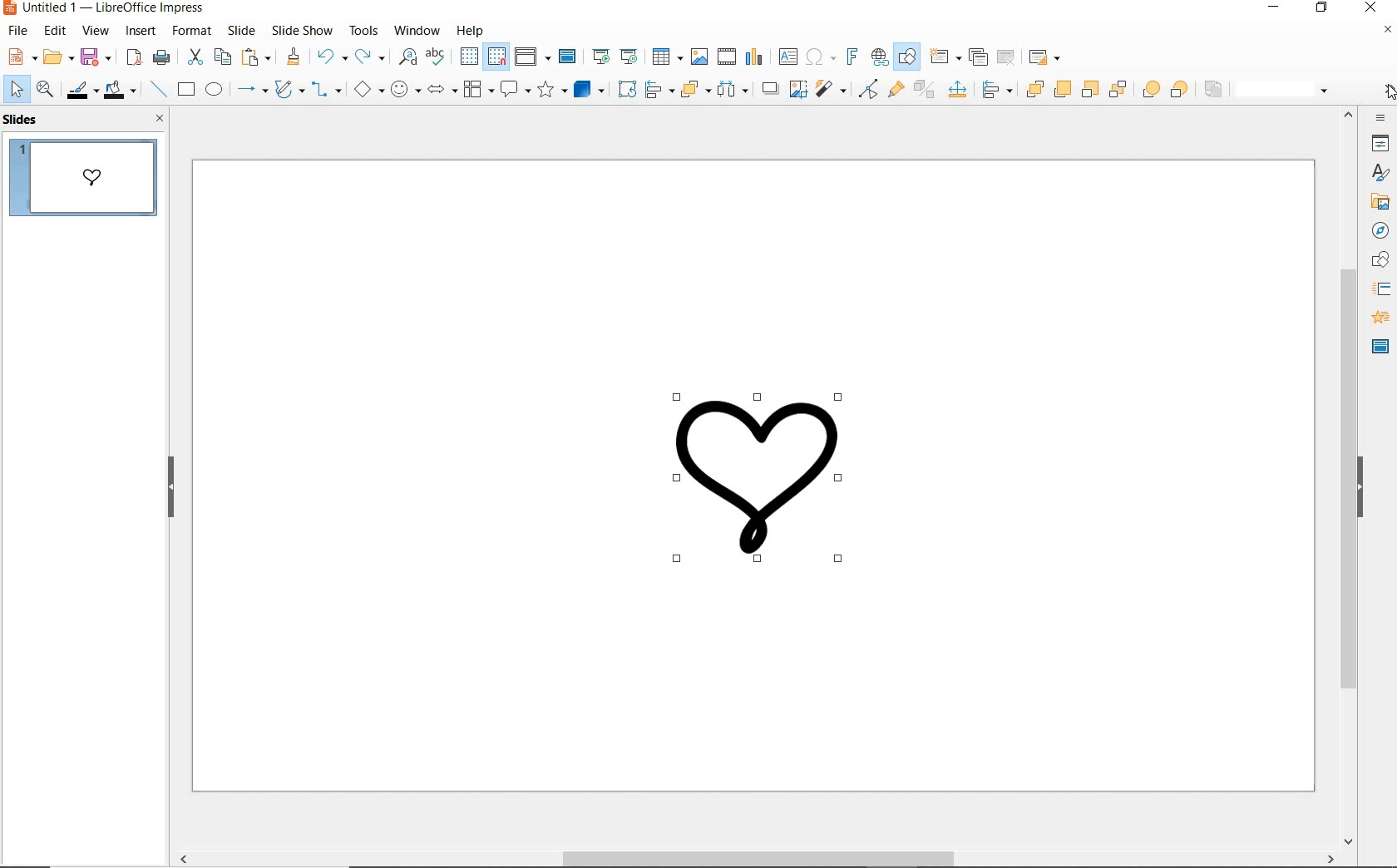 Image resolution: width=1397 pixels, height=868 pixels. I want to click on Untitled 1 - LibreOffice Impress, so click(106, 9).